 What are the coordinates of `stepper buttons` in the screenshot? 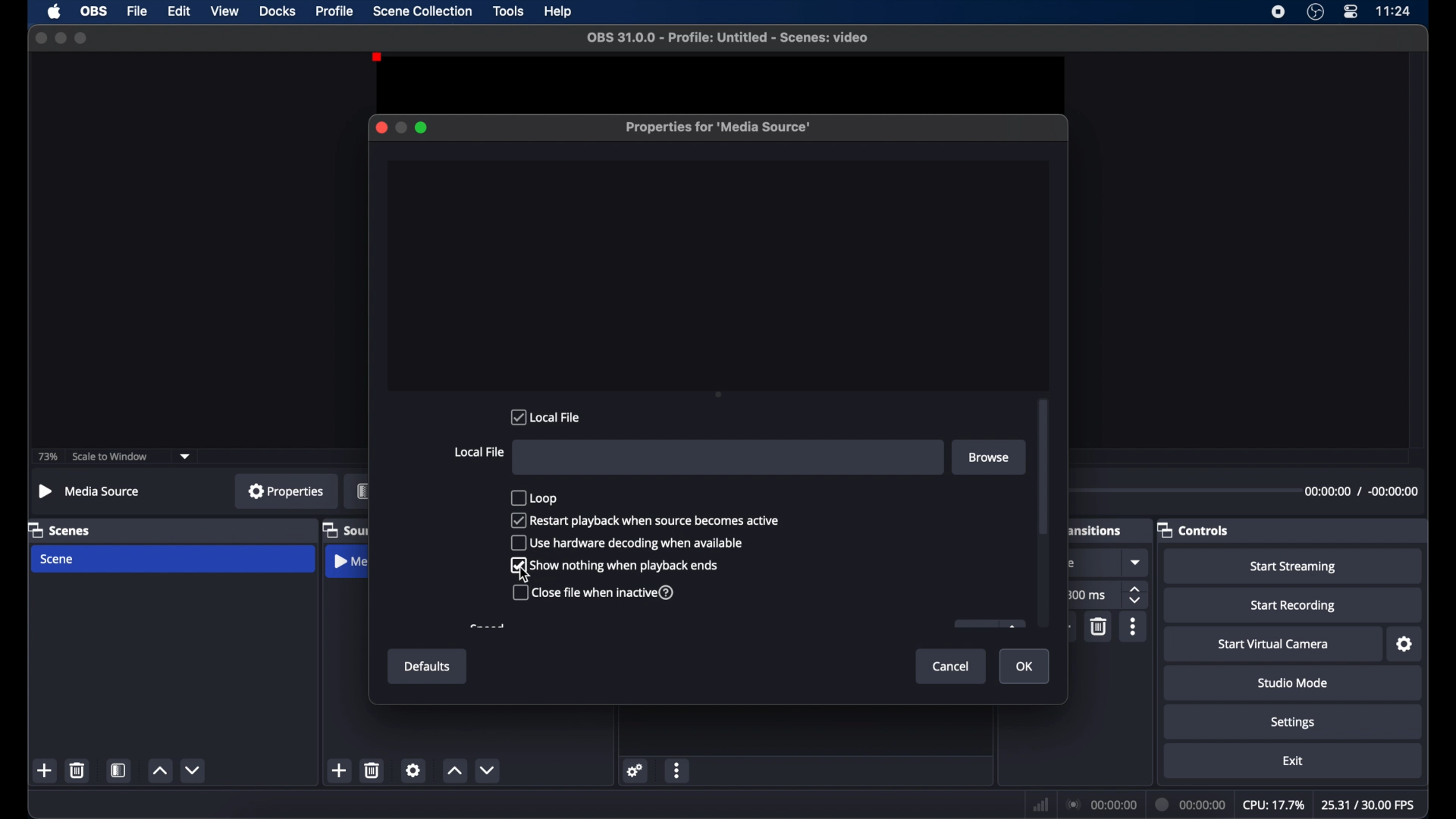 It's located at (1136, 595).